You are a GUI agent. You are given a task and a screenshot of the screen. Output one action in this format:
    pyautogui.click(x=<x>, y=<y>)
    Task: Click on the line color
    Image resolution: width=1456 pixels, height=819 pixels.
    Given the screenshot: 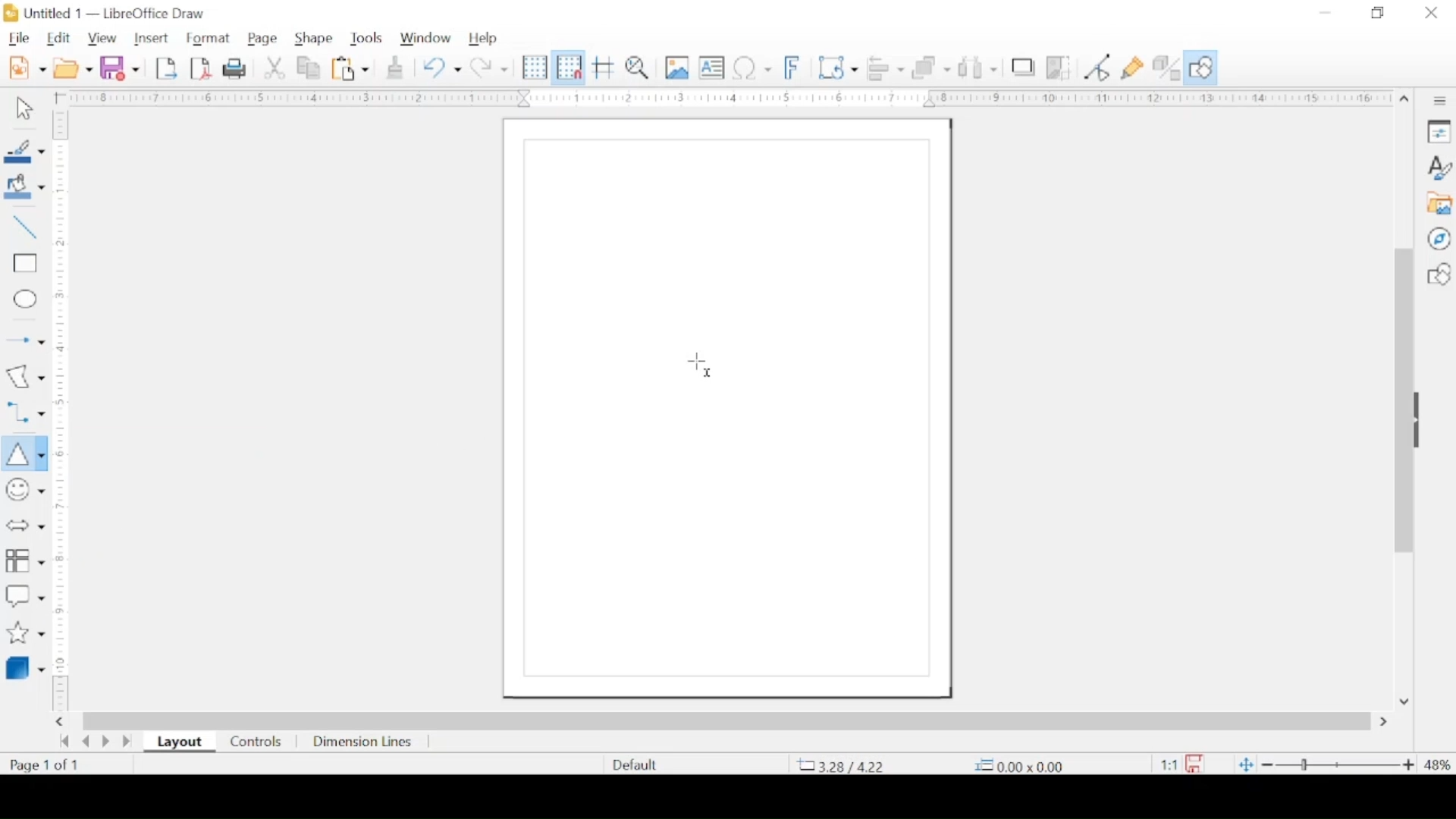 What is the action you would take?
    pyautogui.click(x=24, y=151)
    